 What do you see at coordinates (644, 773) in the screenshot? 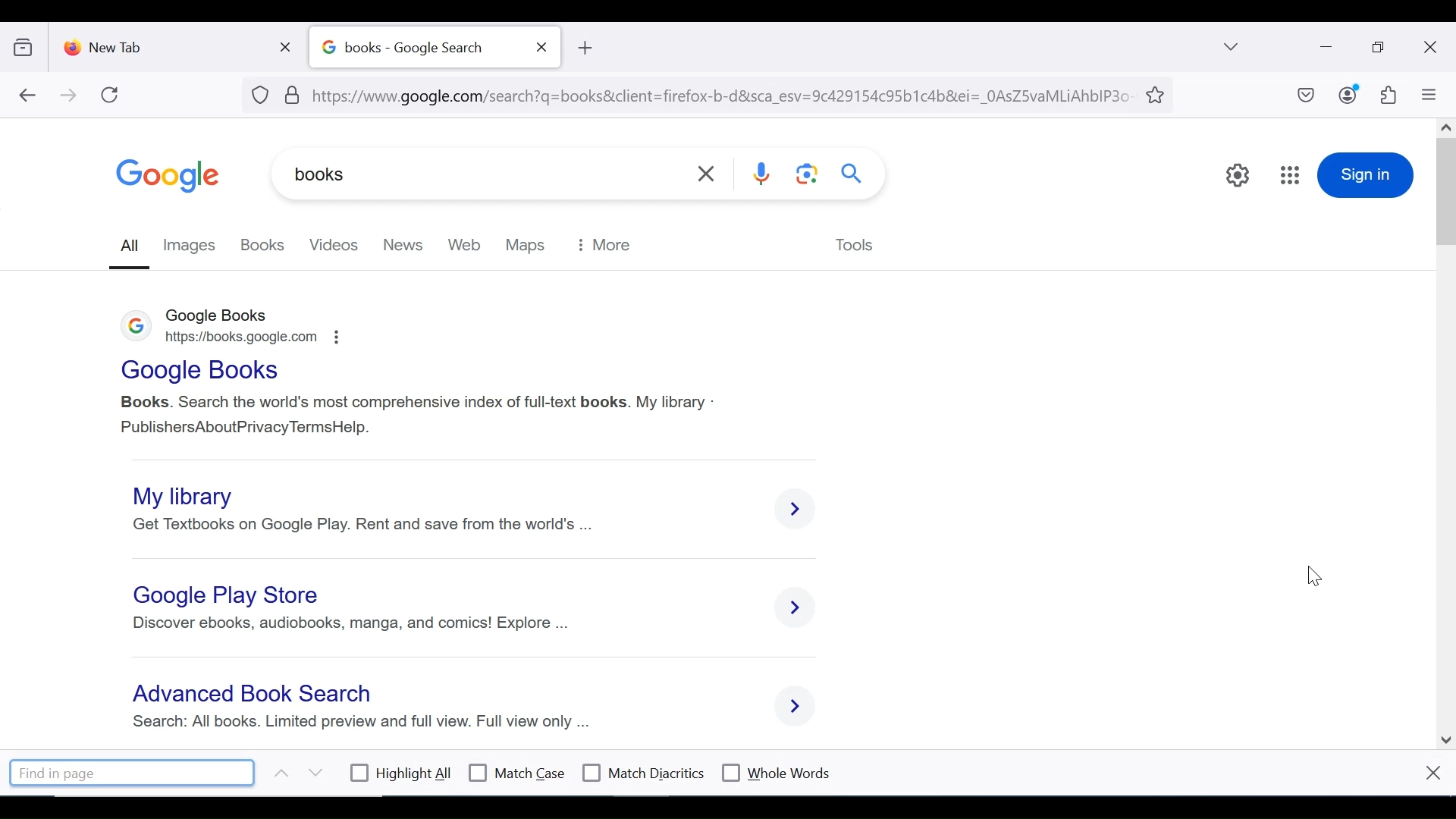
I see `match diacritics` at bounding box center [644, 773].